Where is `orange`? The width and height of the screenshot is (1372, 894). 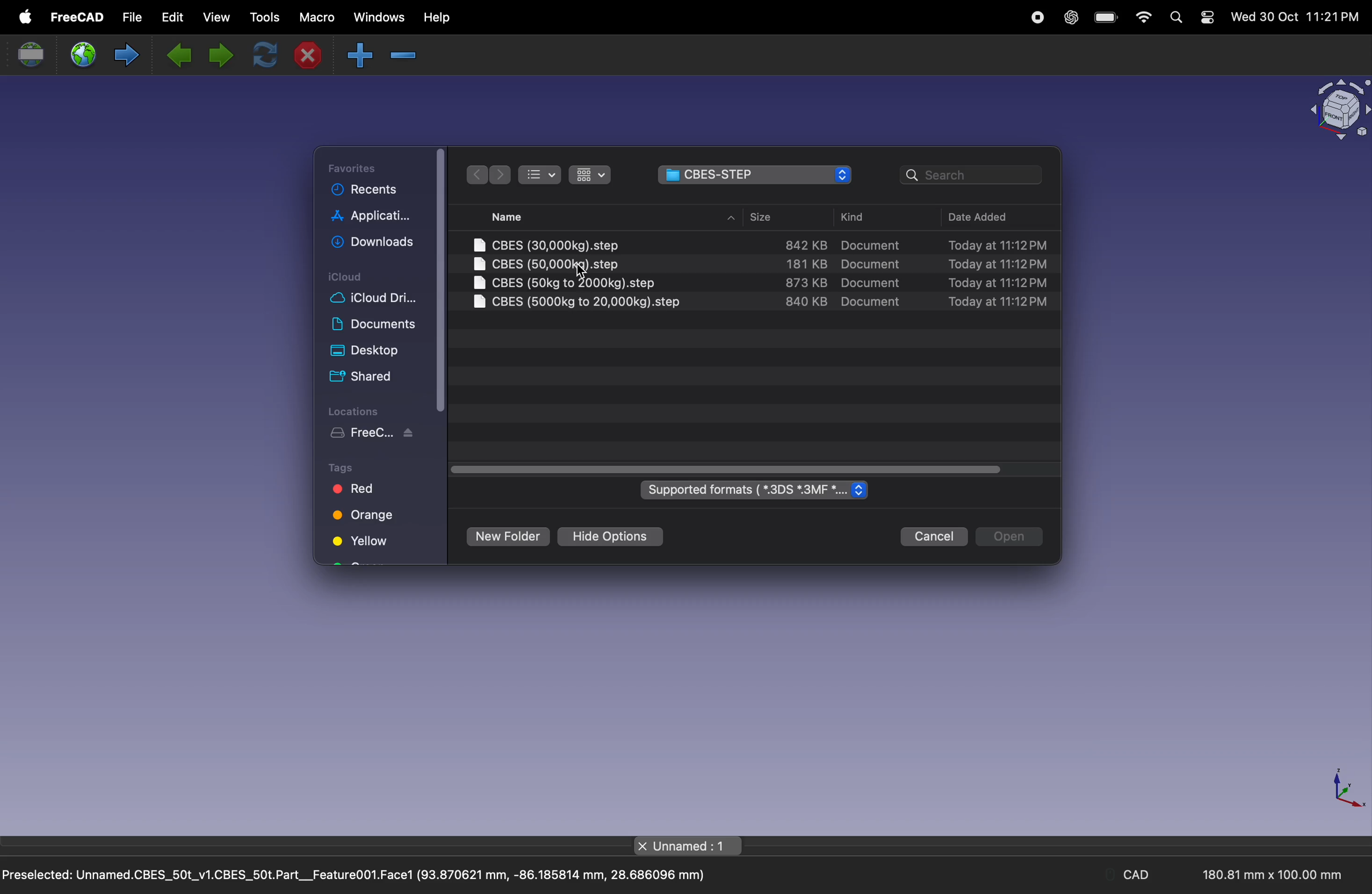 orange is located at coordinates (367, 520).